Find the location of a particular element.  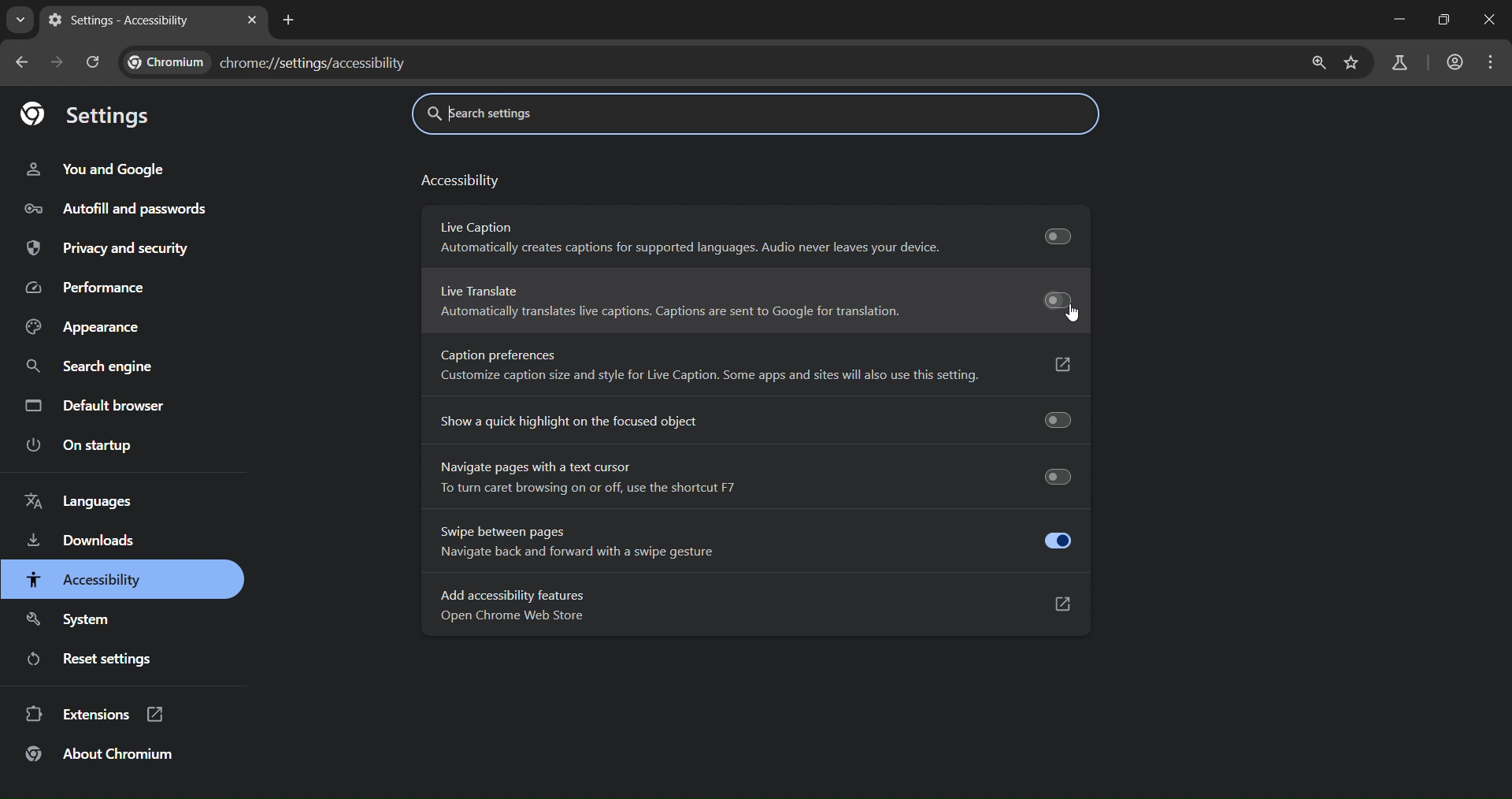

restore down is located at coordinates (1447, 19).